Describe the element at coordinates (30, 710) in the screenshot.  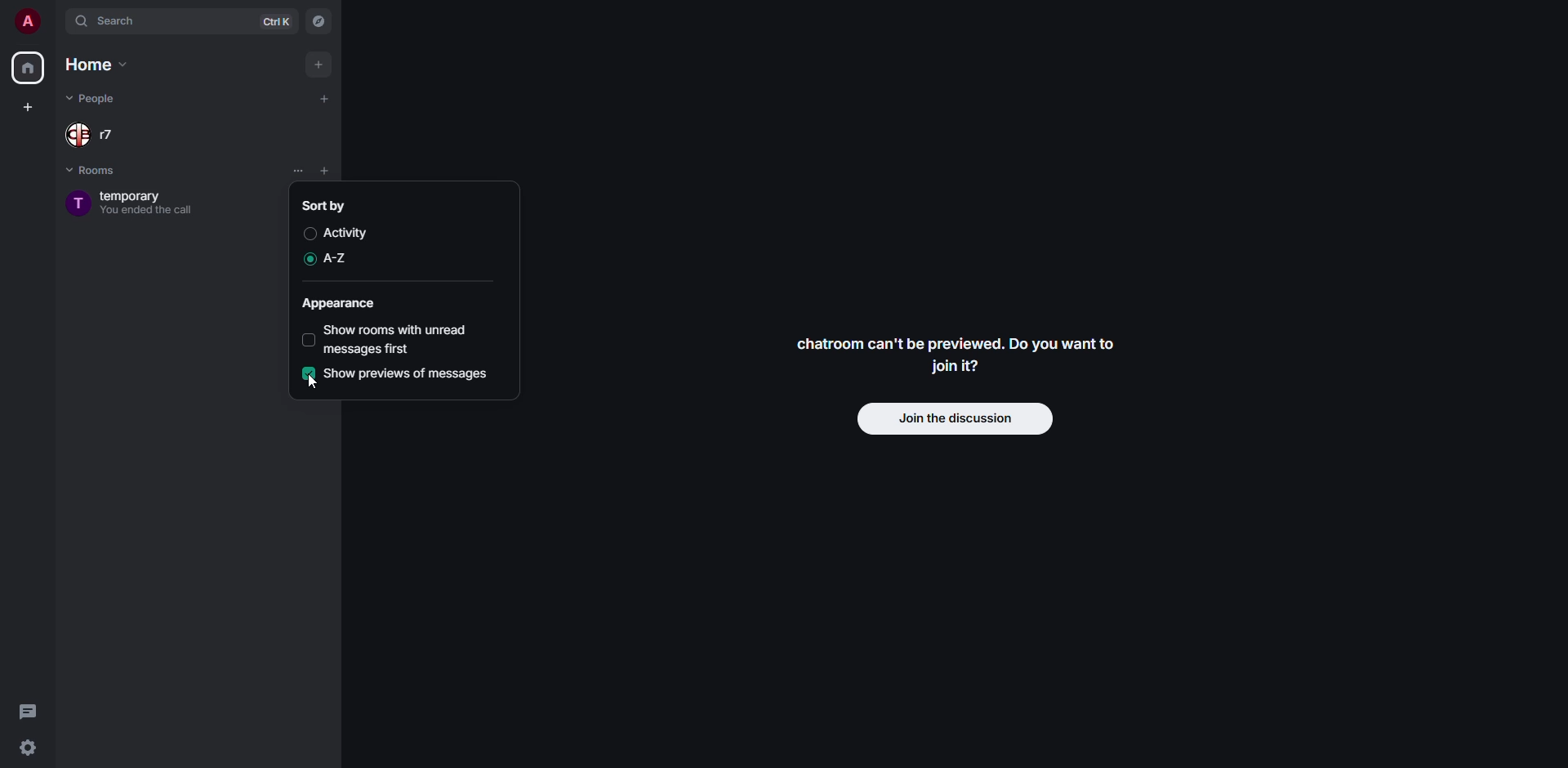
I see `threads` at that location.